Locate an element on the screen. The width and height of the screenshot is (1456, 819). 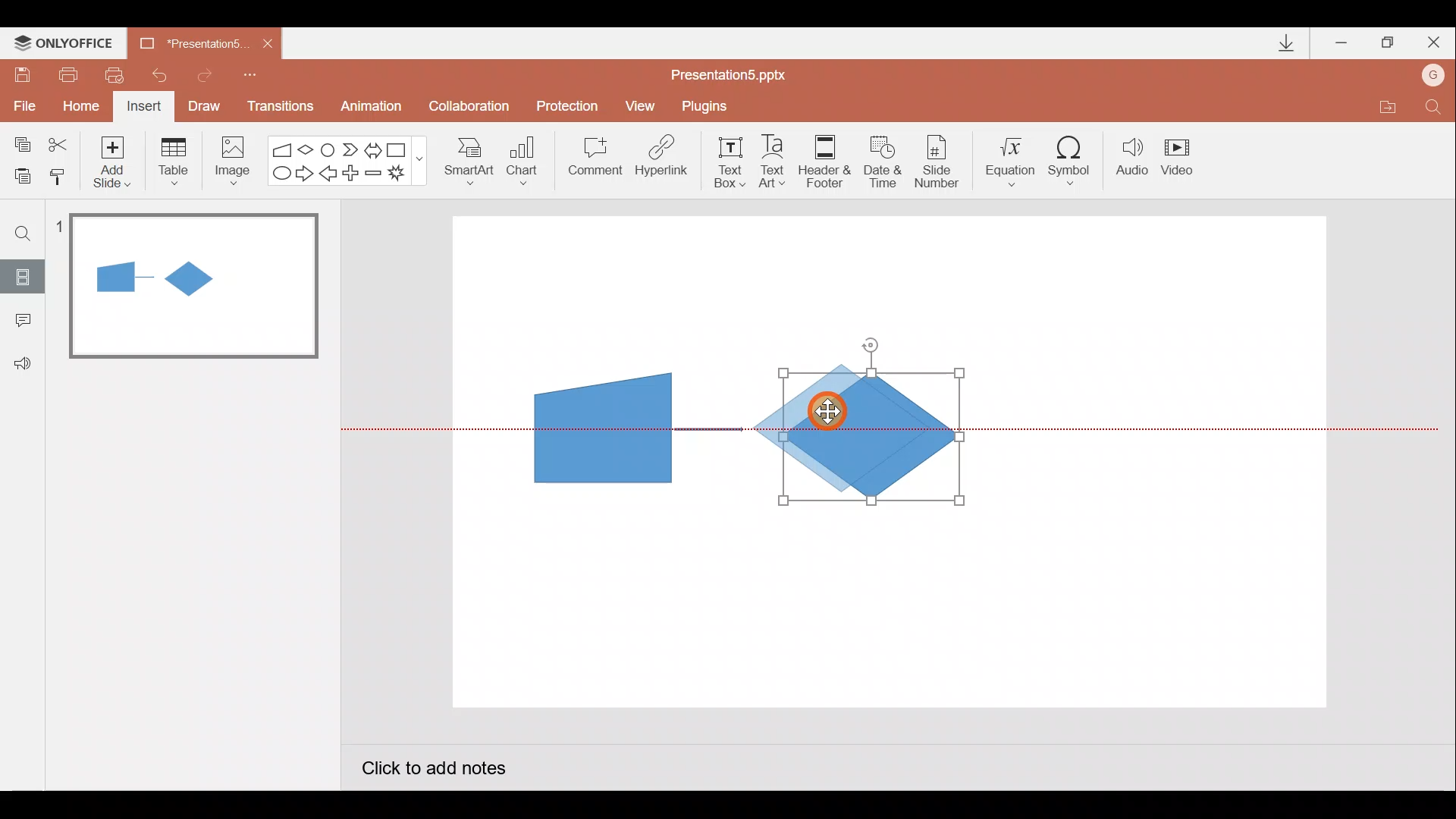
Header & footer is located at coordinates (824, 160).